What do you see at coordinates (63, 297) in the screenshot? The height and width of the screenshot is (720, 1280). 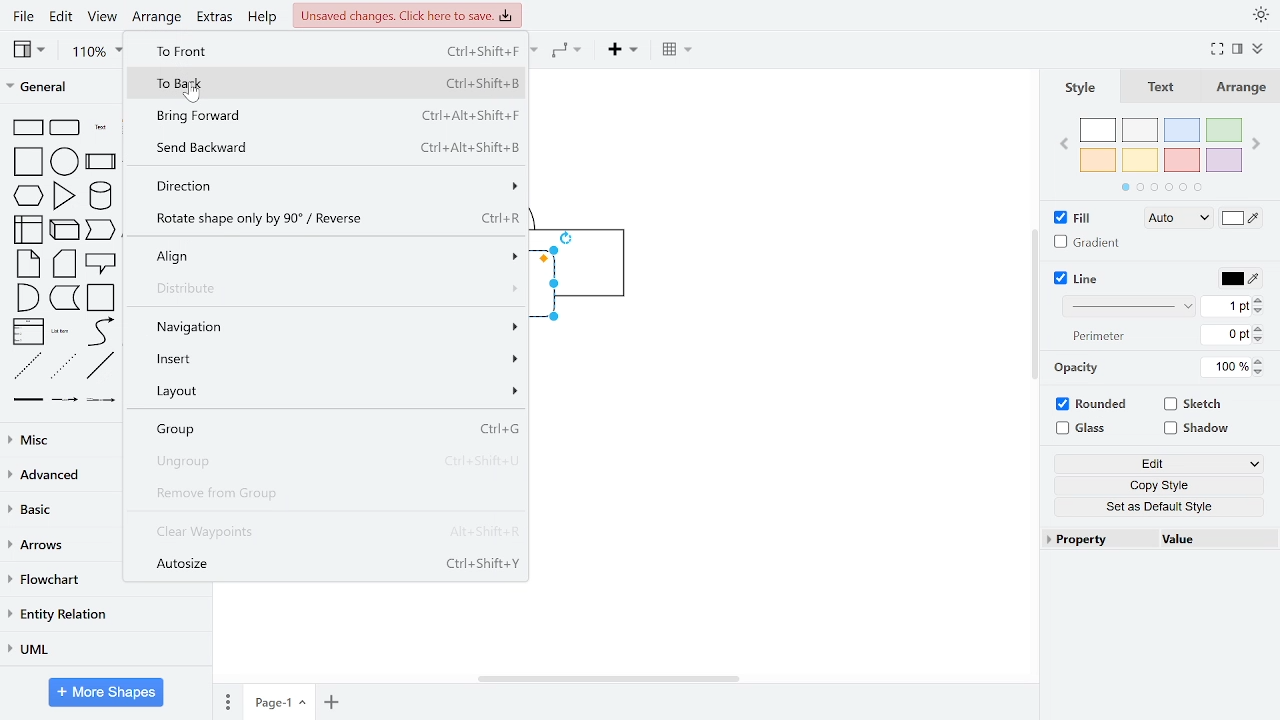 I see `data storage` at bounding box center [63, 297].